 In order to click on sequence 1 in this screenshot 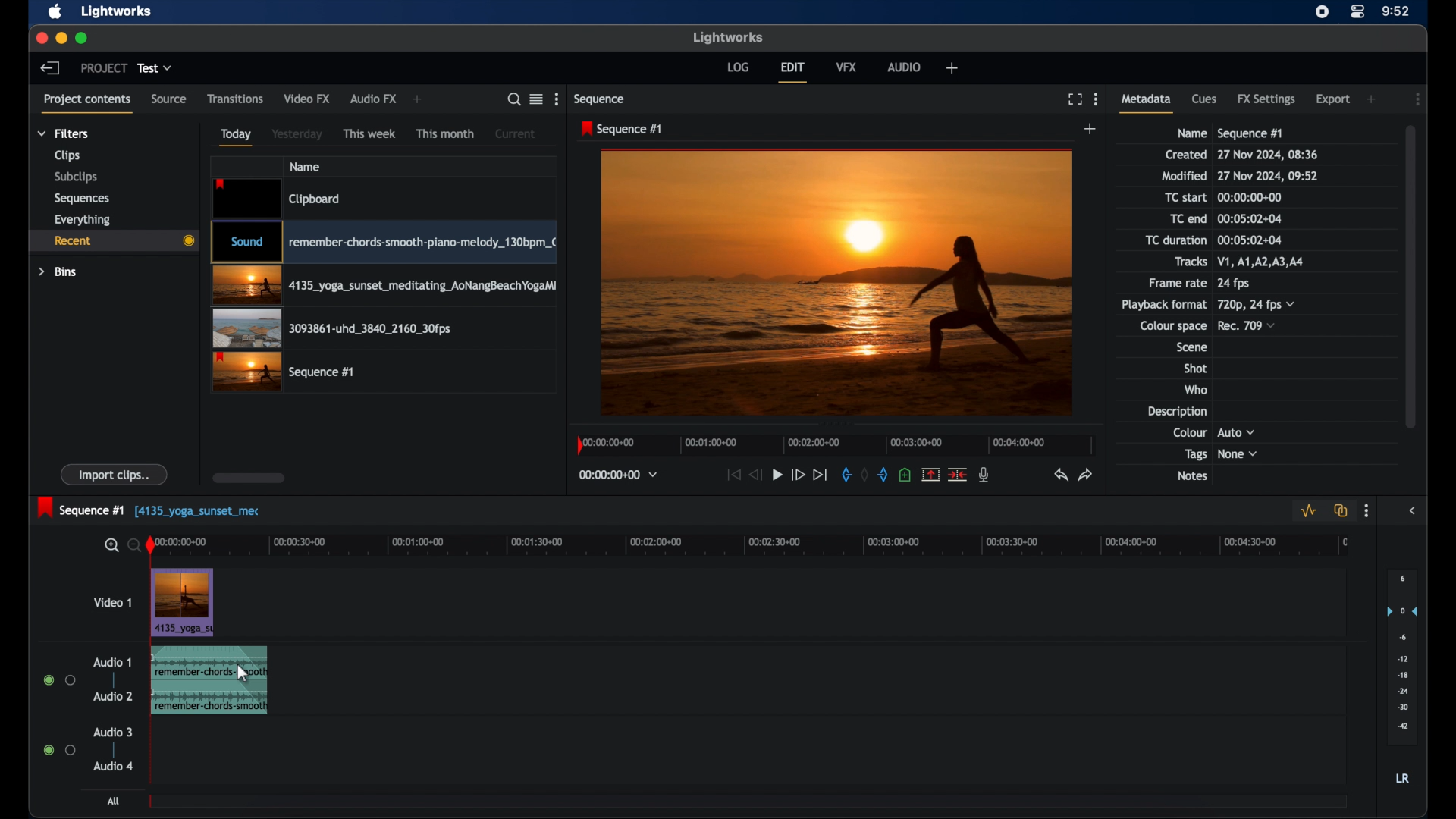, I will do `click(622, 129)`.